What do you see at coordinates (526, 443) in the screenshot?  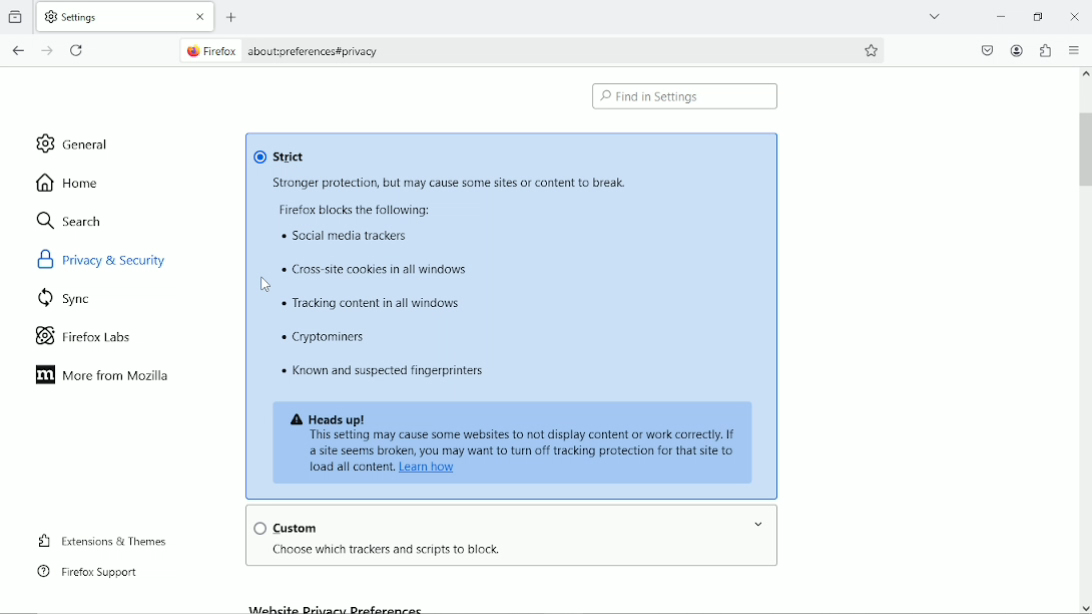 I see `text` at bounding box center [526, 443].